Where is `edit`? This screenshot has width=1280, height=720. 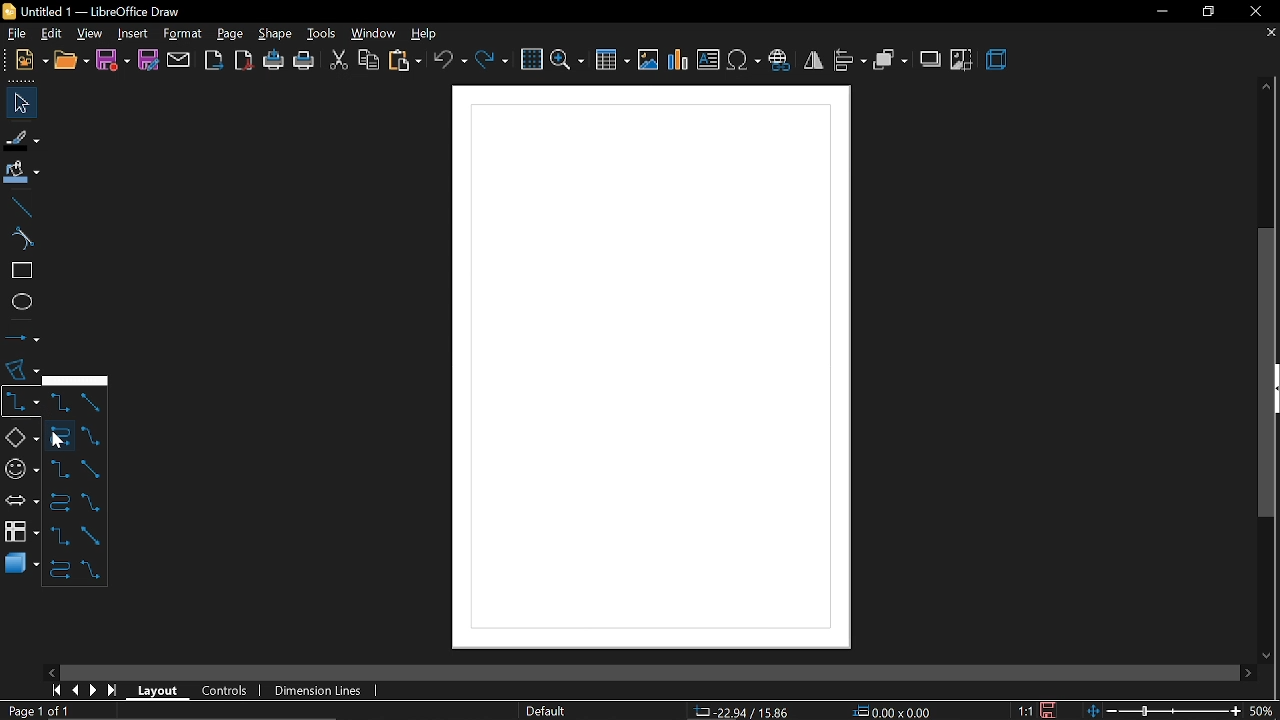 edit is located at coordinates (50, 33).